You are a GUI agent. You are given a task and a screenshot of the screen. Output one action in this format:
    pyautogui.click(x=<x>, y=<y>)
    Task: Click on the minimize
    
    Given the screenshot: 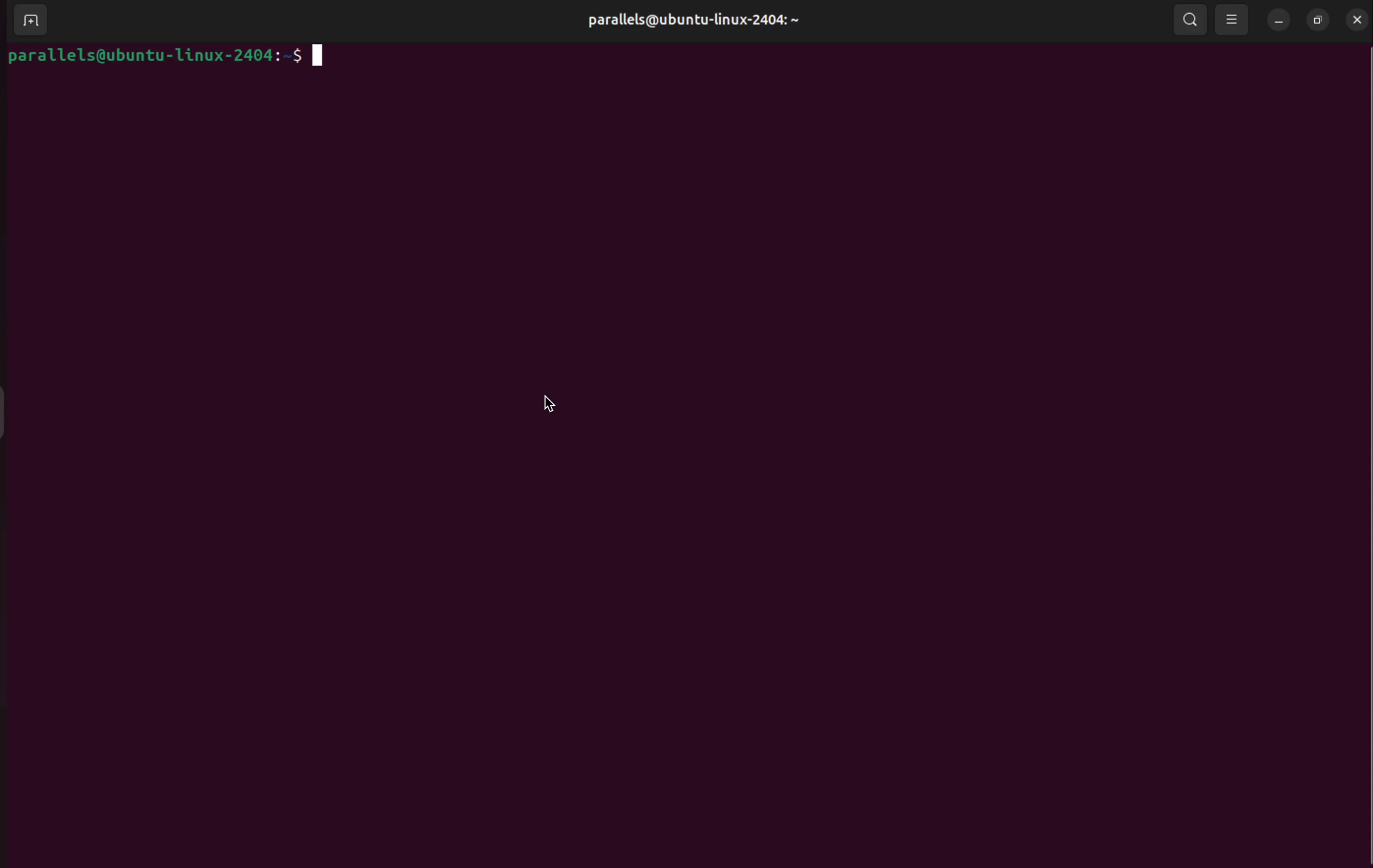 What is the action you would take?
    pyautogui.click(x=1274, y=21)
    